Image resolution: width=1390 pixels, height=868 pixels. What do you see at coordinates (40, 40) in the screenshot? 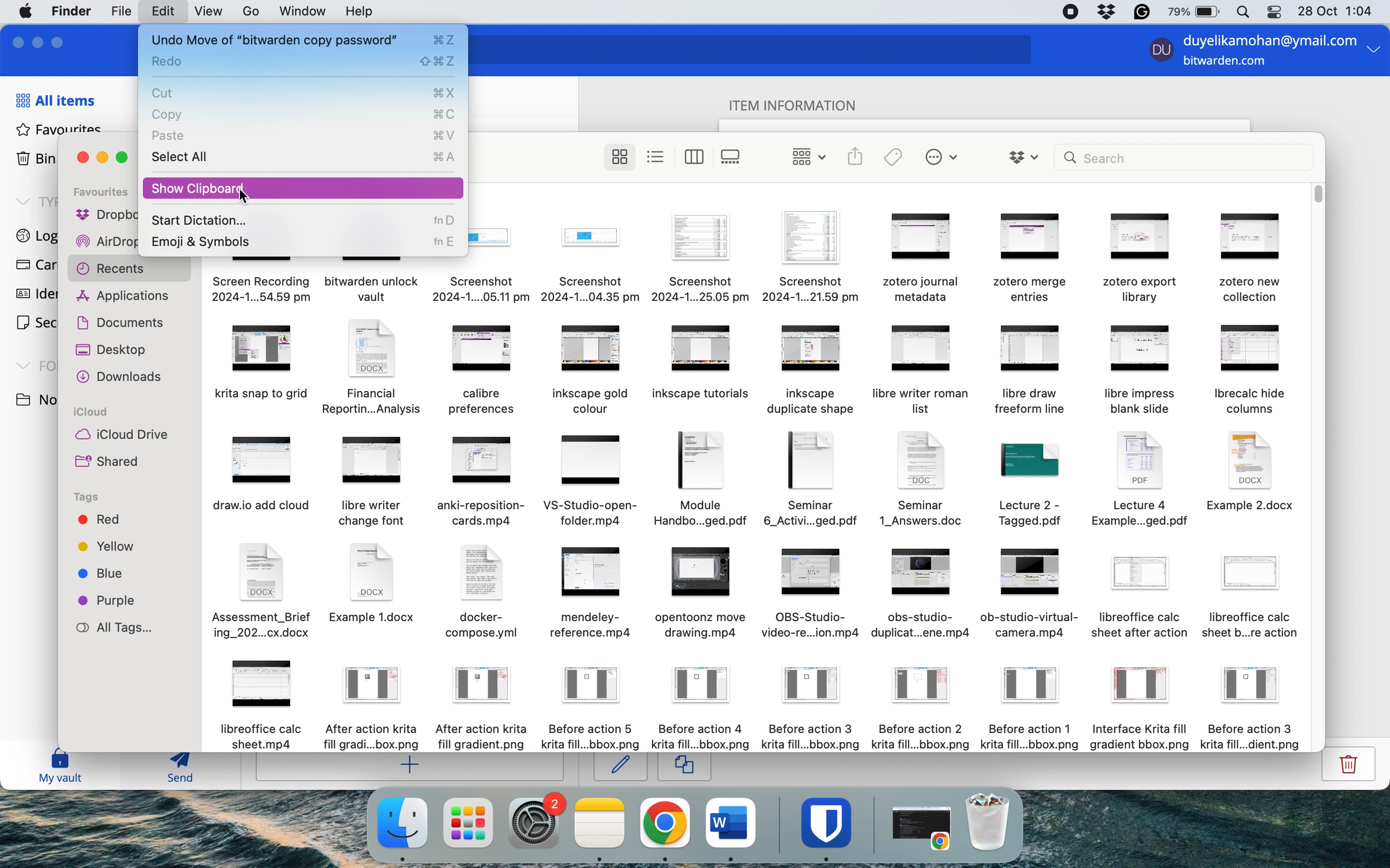
I see `minimise` at bounding box center [40, 40].